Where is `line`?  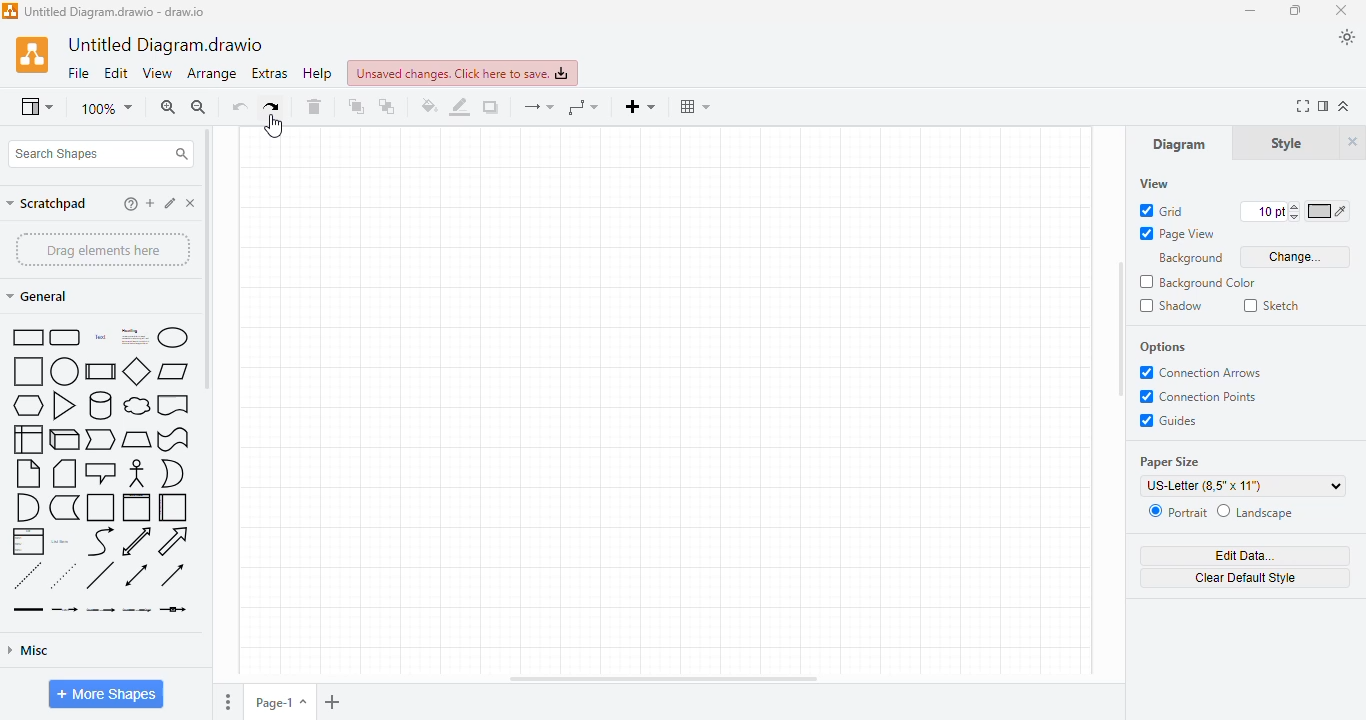 line is located at coordinates (99, 575).